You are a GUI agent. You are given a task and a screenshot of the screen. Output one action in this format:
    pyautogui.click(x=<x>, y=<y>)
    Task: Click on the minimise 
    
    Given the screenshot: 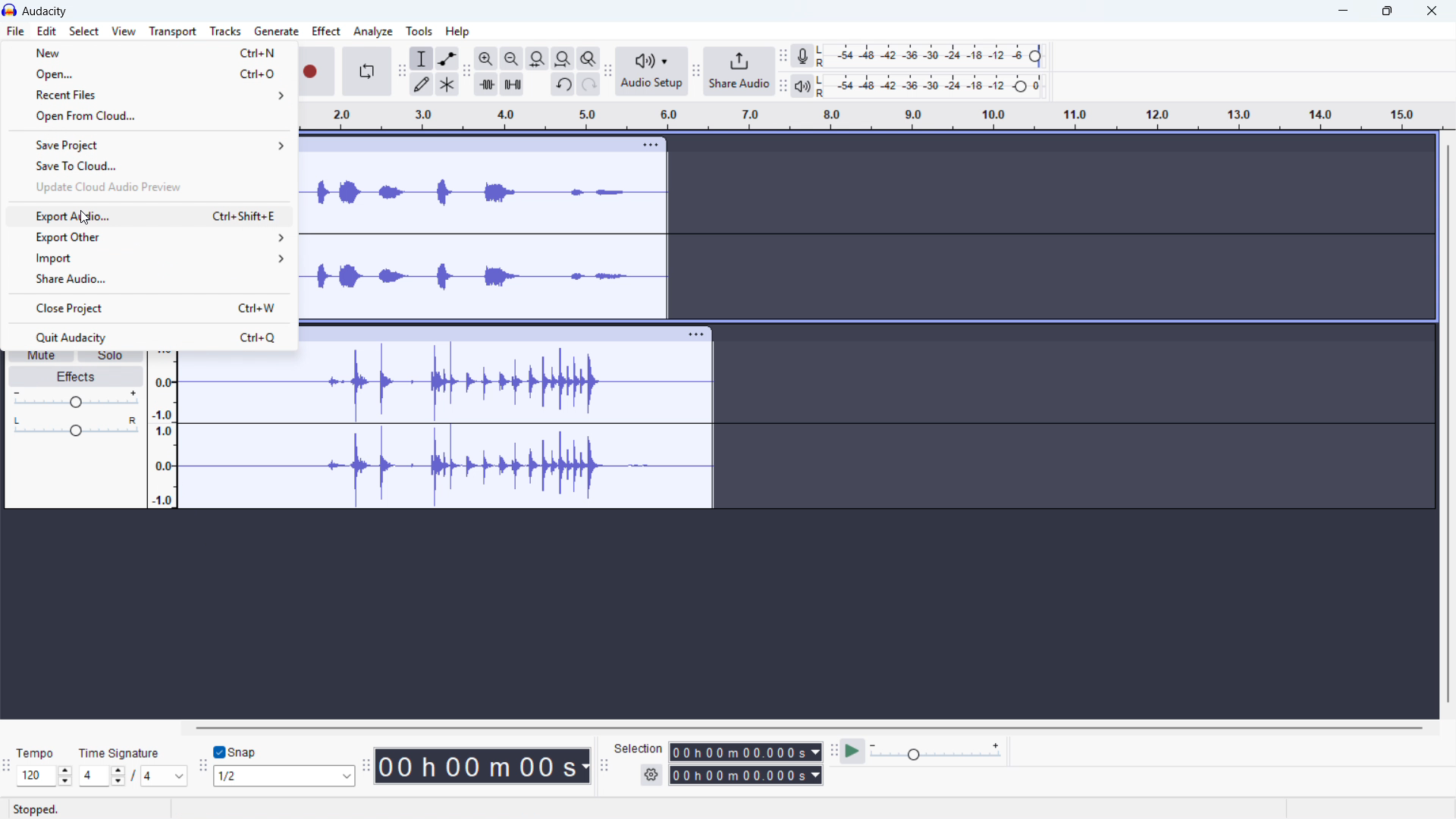 What is the action you would take?
    pyautogui.click(x=1340, y=11)
    